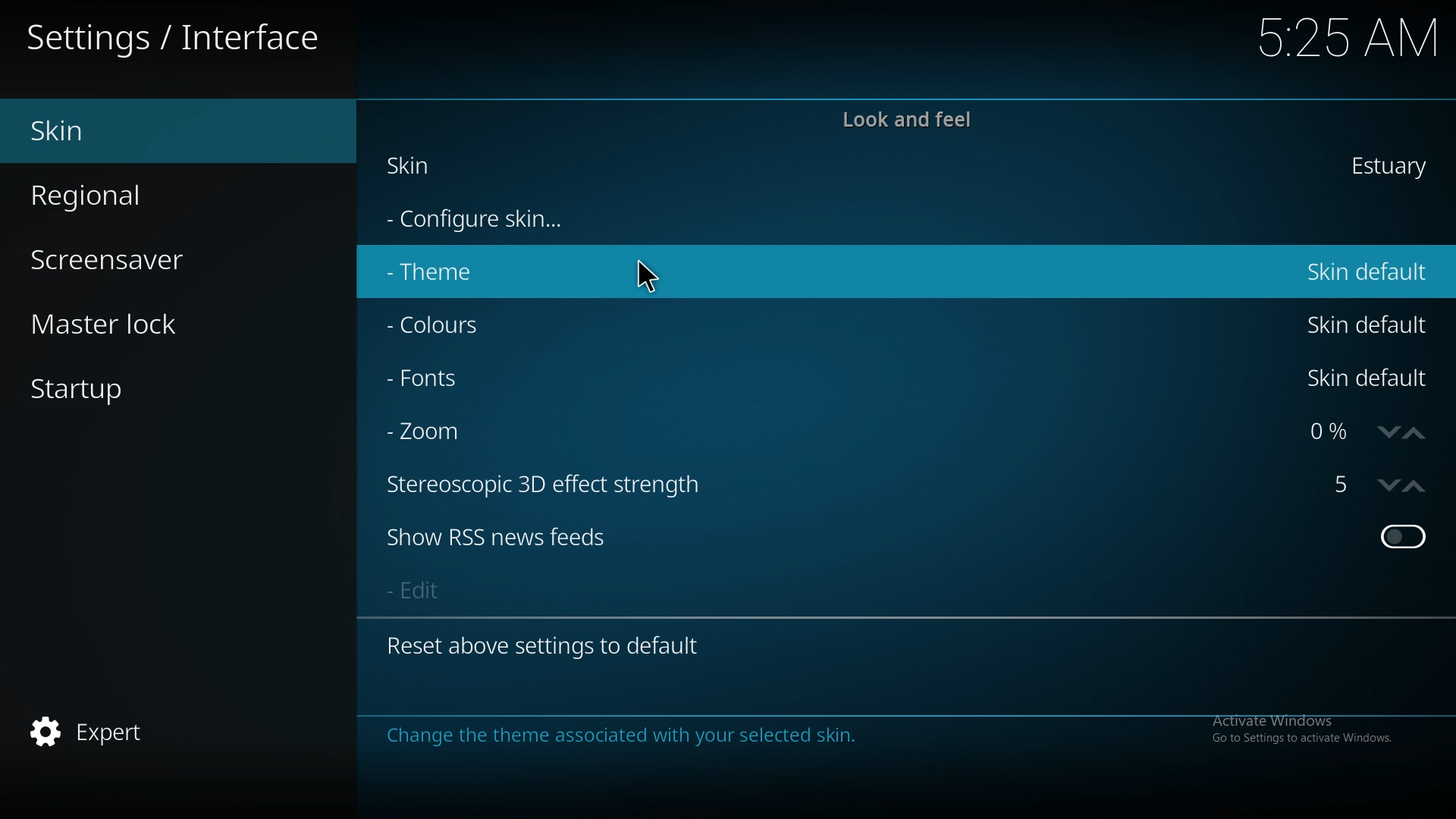 This screenshot has height=819, width=1456. What do you see at coordinates (501, 541) in the screenshot?
I see `show rss new feeds` at bounding box center [501, 541].